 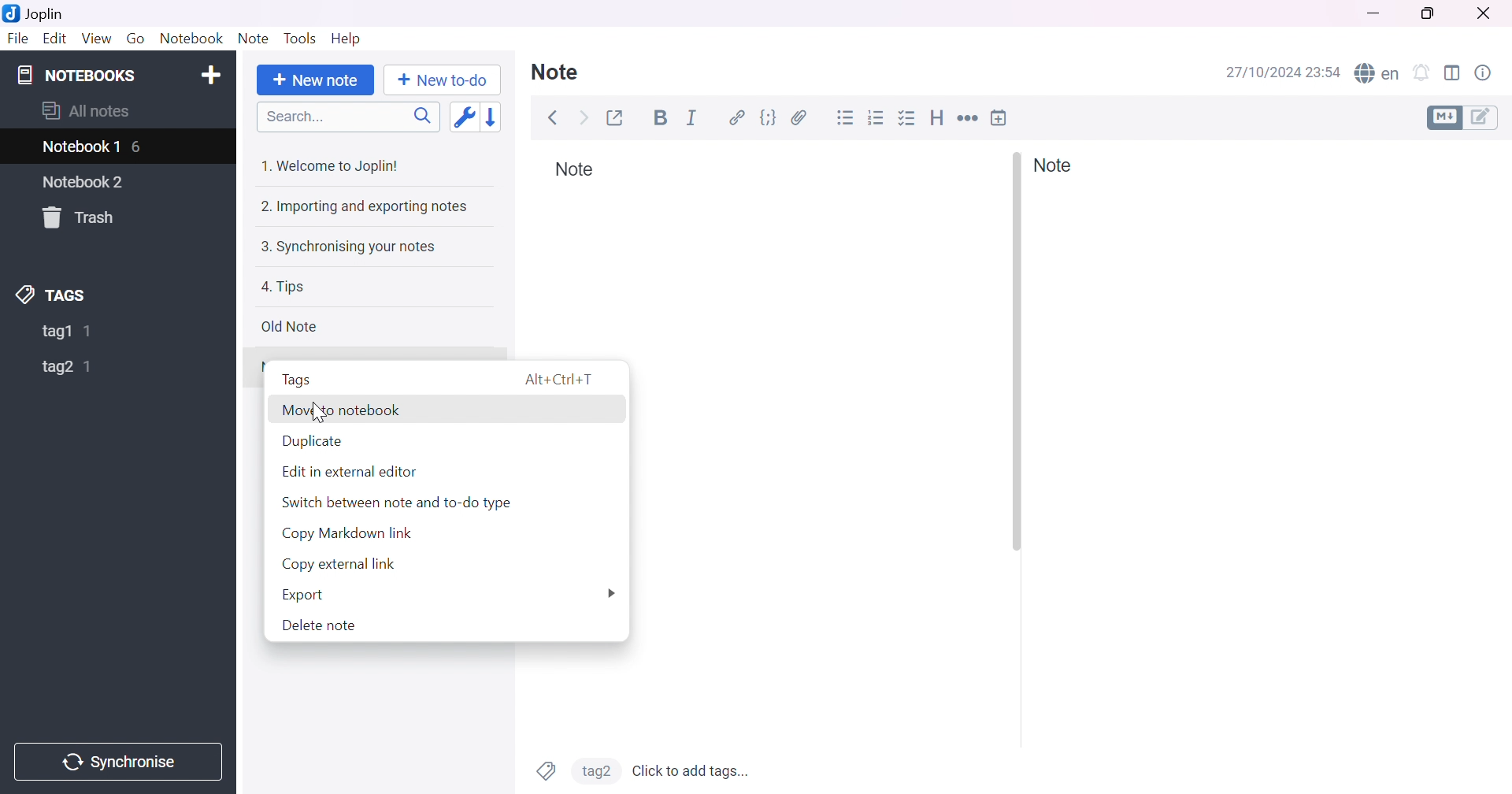 What do you see at coordinates (54, 295) in the screenshot?
I see `TAGS` at bounding box center [54, 295].